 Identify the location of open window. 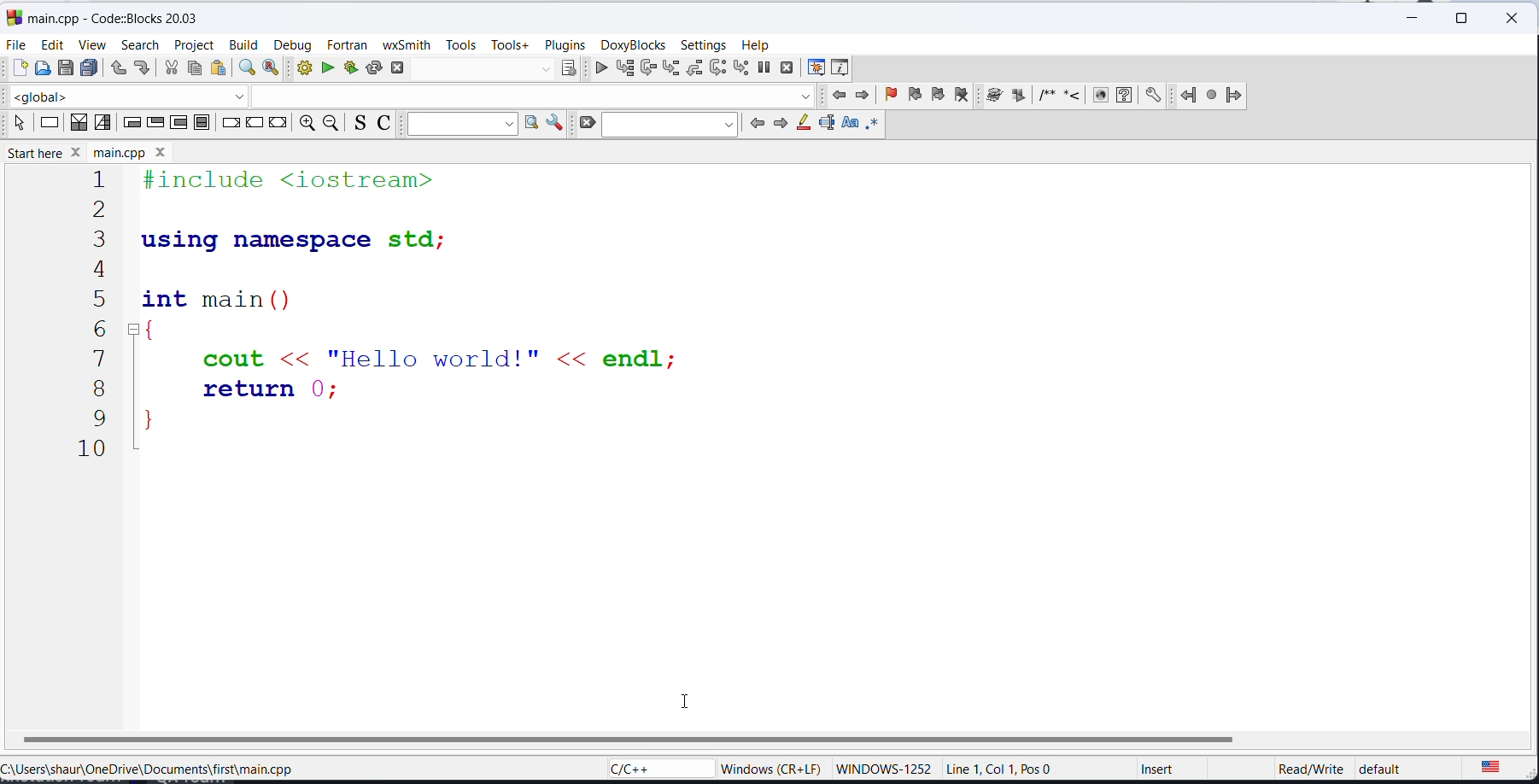
(531, 125).